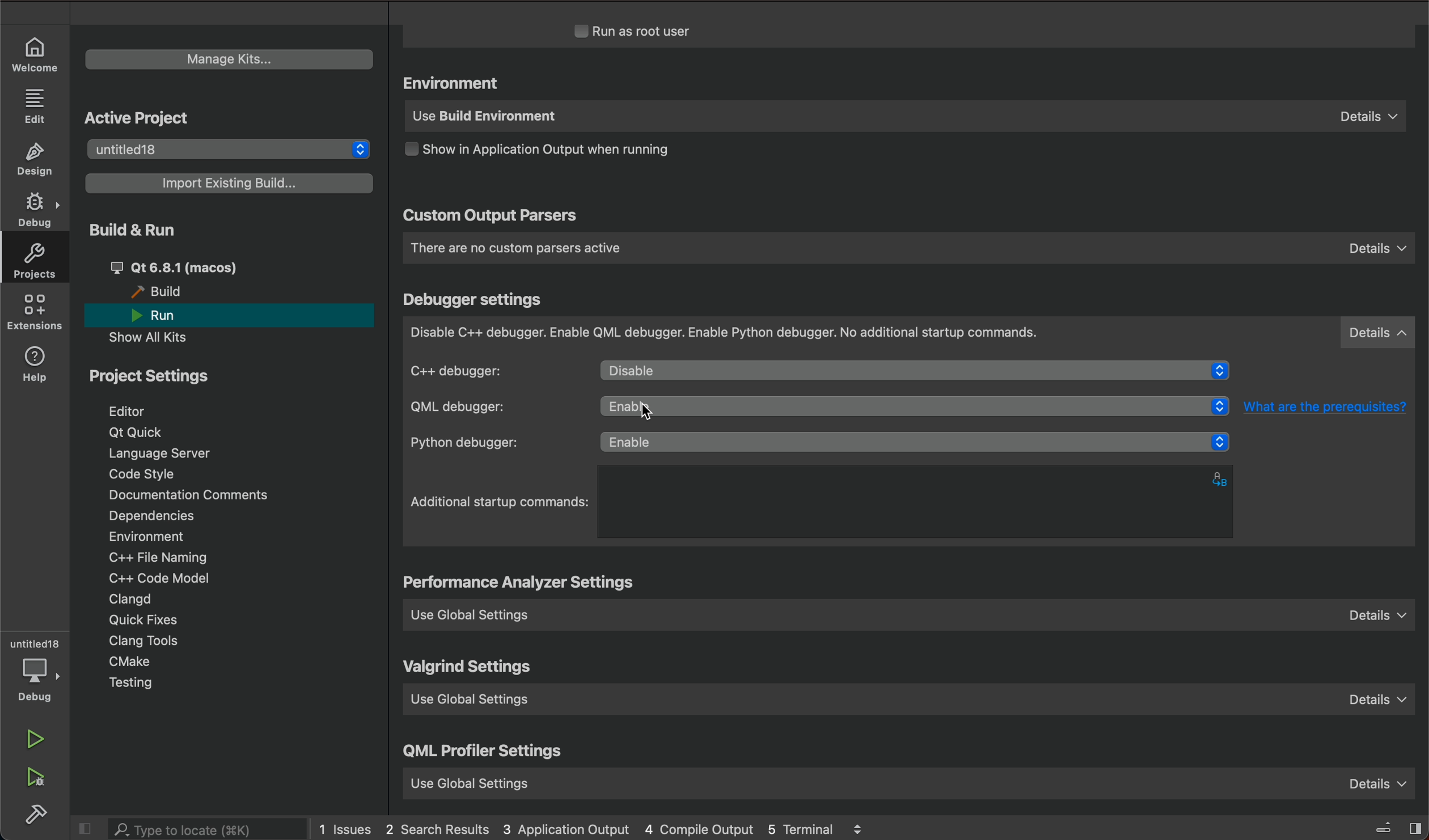 This screenshot has width=1429, height=840. I want to click on What are the prerequisites?, so click(1332, 408).